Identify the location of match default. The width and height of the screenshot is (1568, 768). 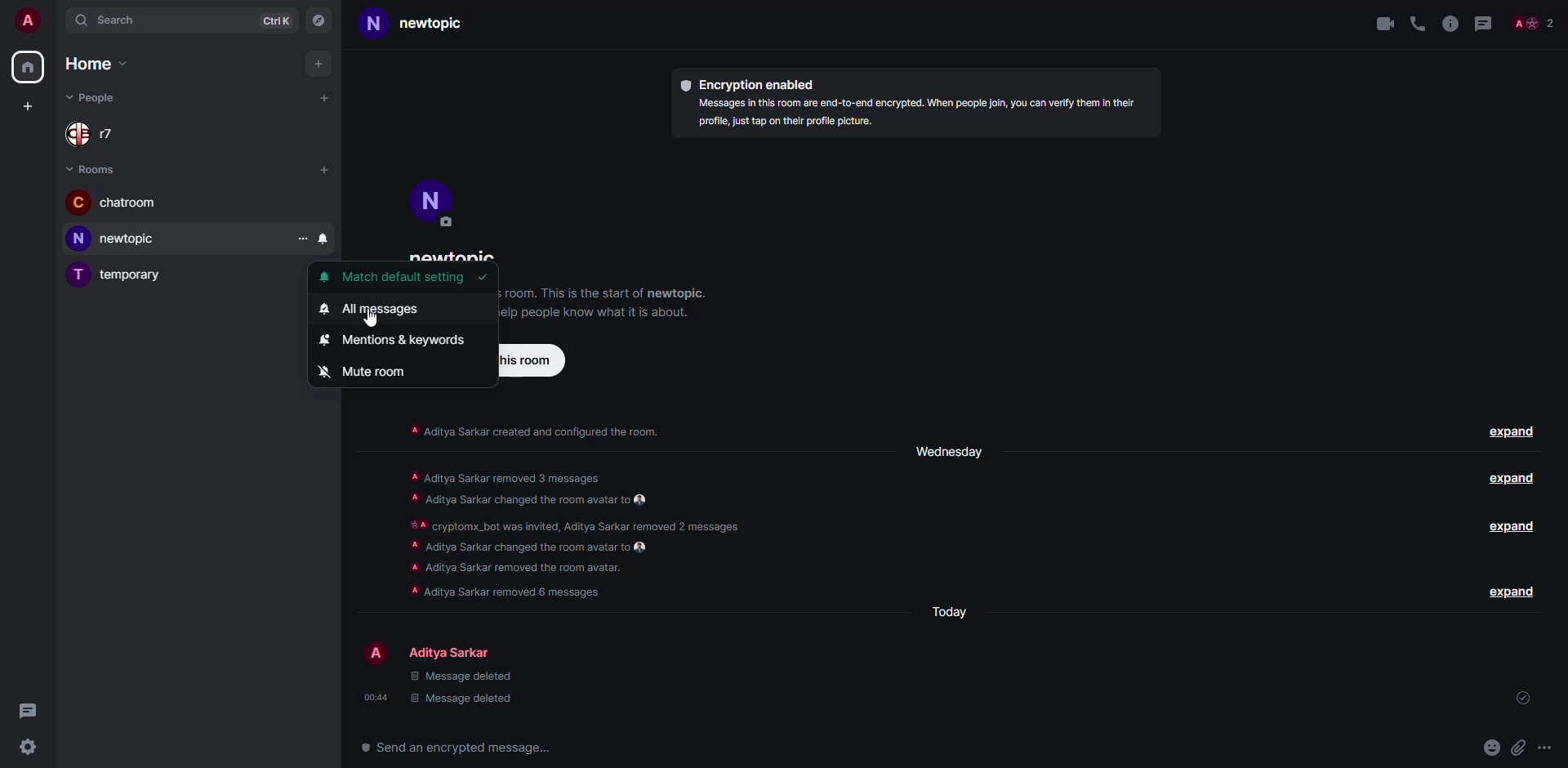
(399, 278).